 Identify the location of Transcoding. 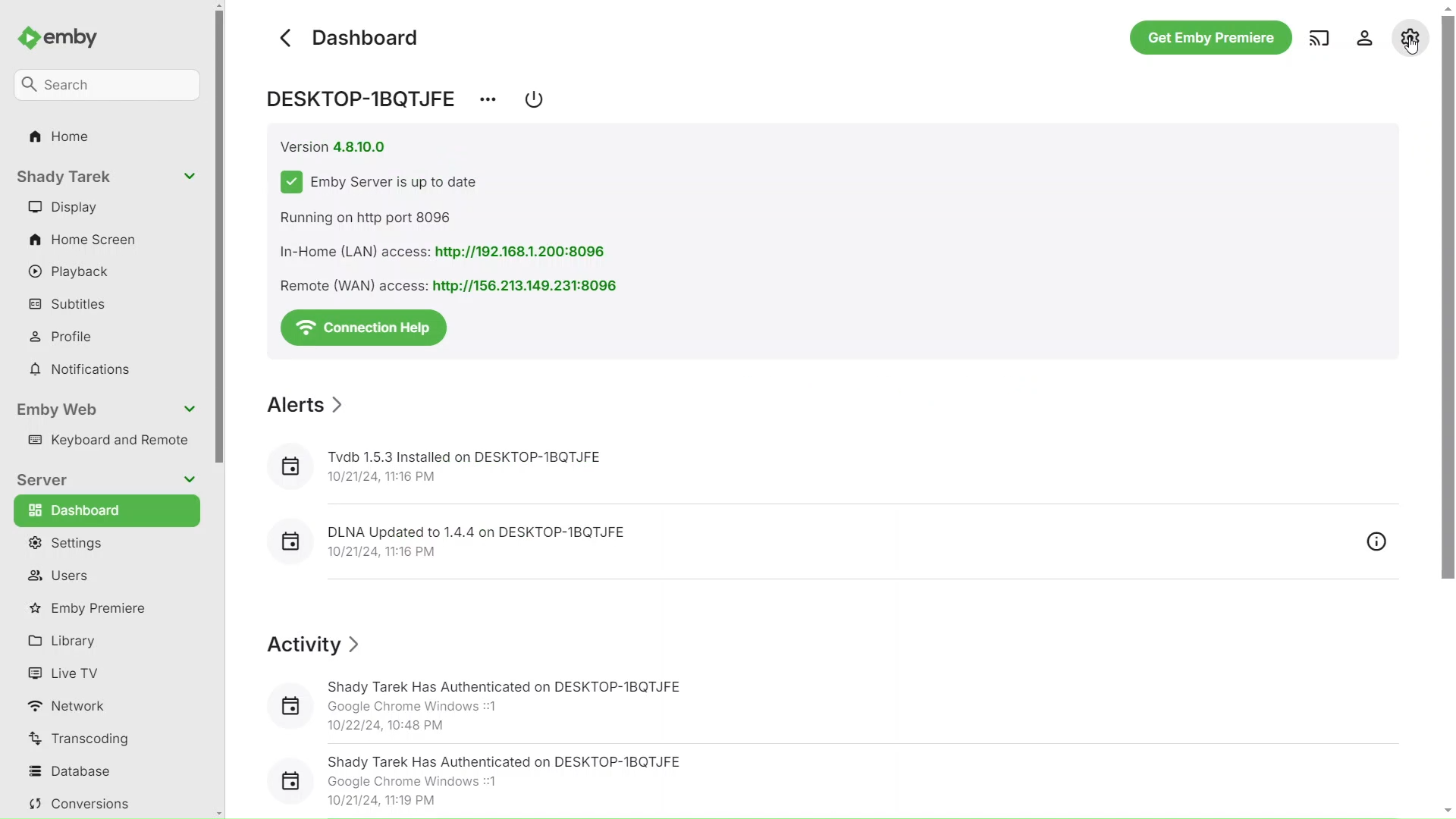
(80, 741).